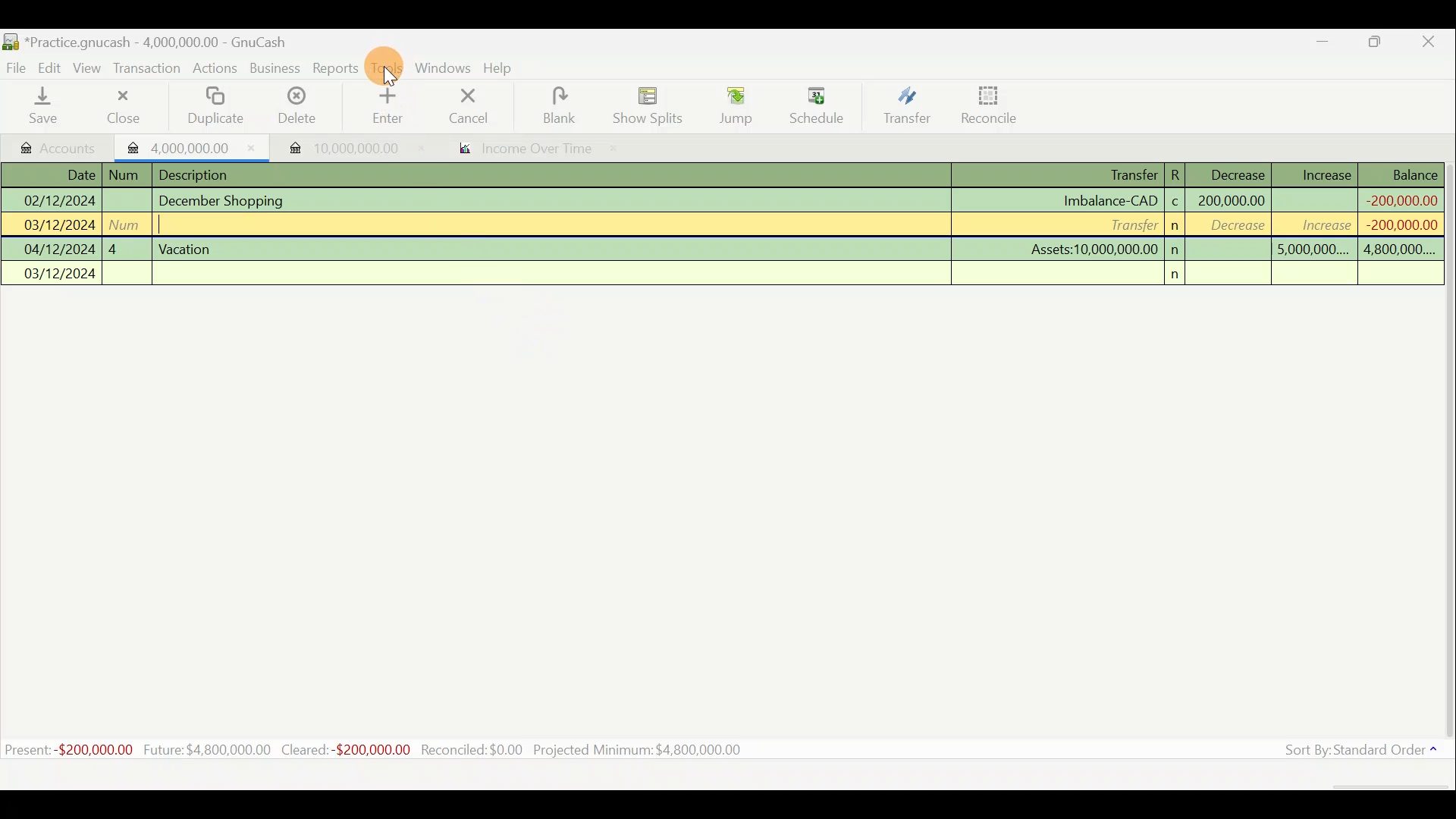  I want to click on Imbalance-CAD, so click(1109, 200).